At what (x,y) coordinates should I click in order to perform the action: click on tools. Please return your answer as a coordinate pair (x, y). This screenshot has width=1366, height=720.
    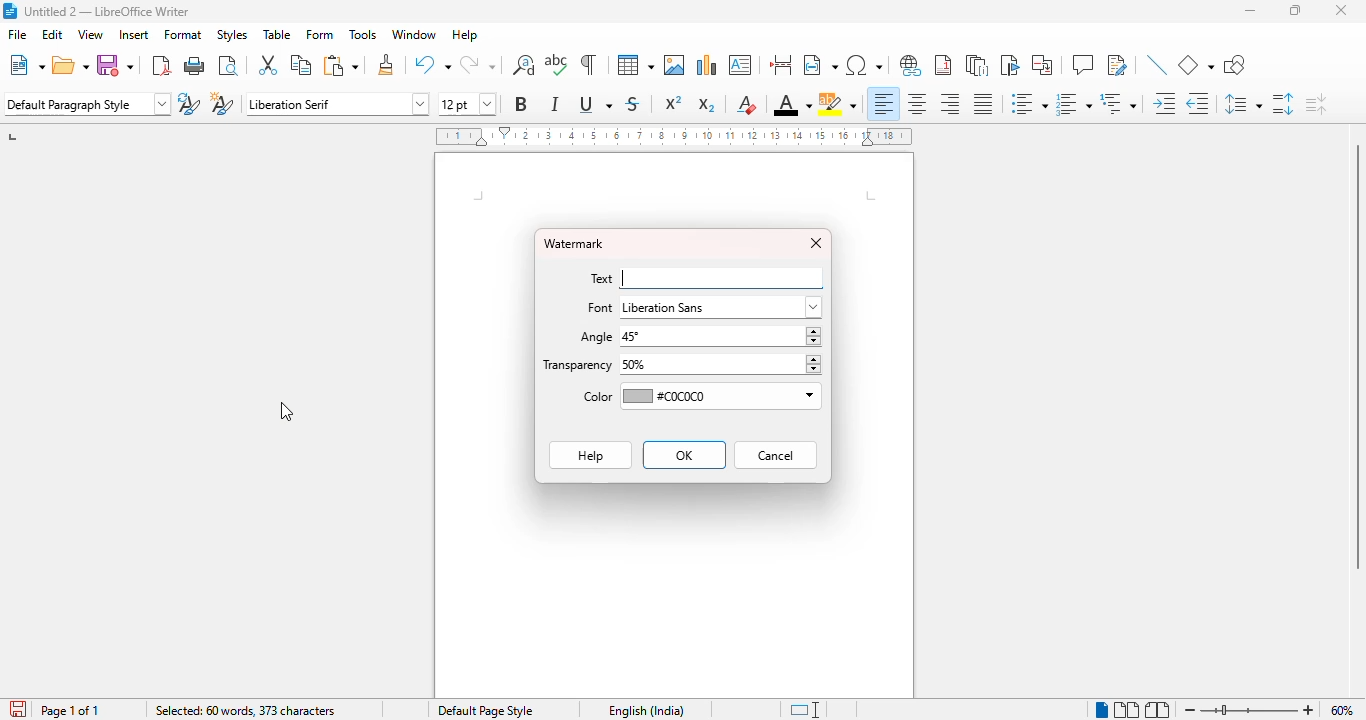
    Looking at the image, I should click on (363, 35).